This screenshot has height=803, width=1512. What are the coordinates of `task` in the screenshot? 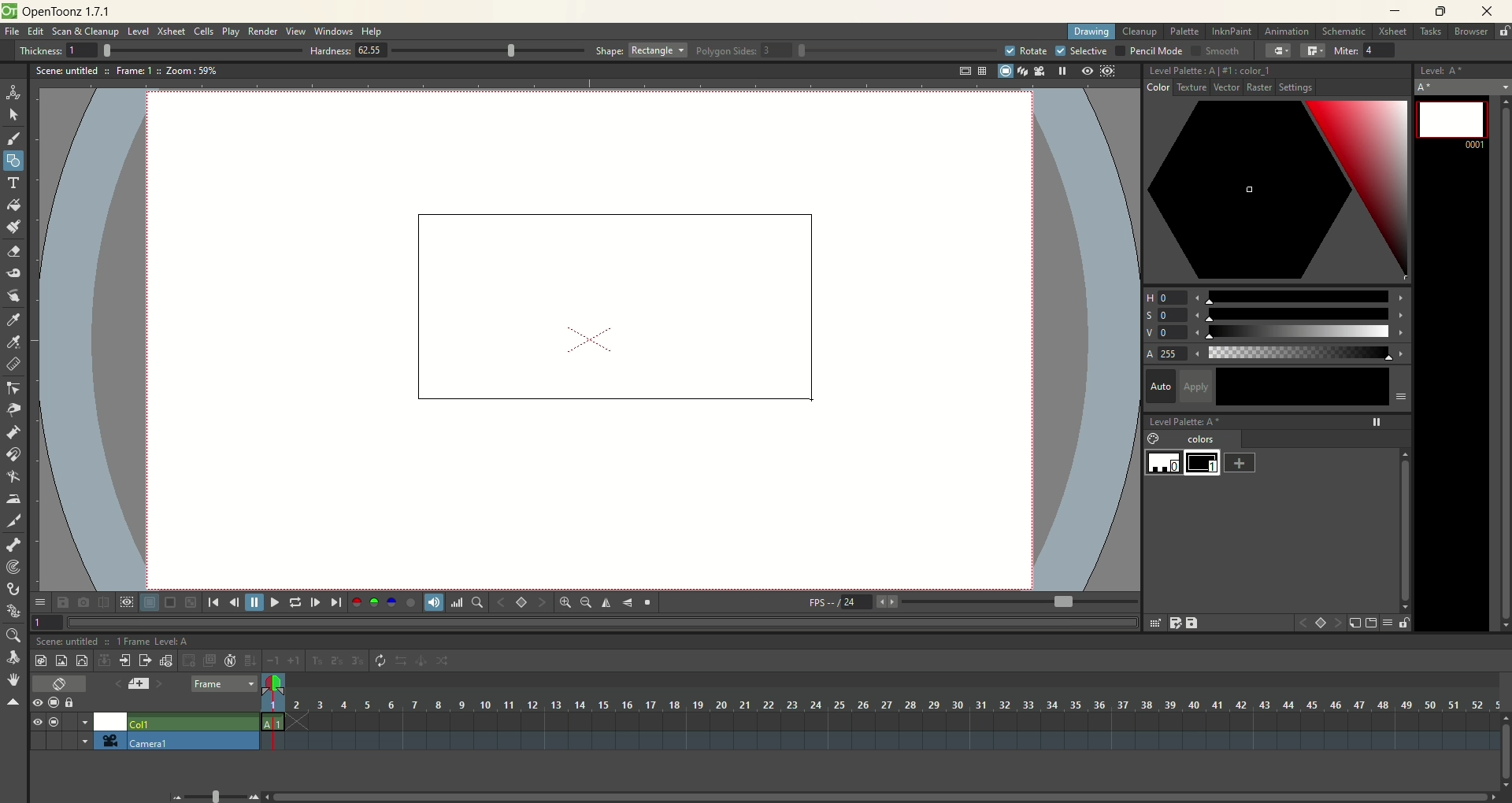 It's located at (1429, 35).